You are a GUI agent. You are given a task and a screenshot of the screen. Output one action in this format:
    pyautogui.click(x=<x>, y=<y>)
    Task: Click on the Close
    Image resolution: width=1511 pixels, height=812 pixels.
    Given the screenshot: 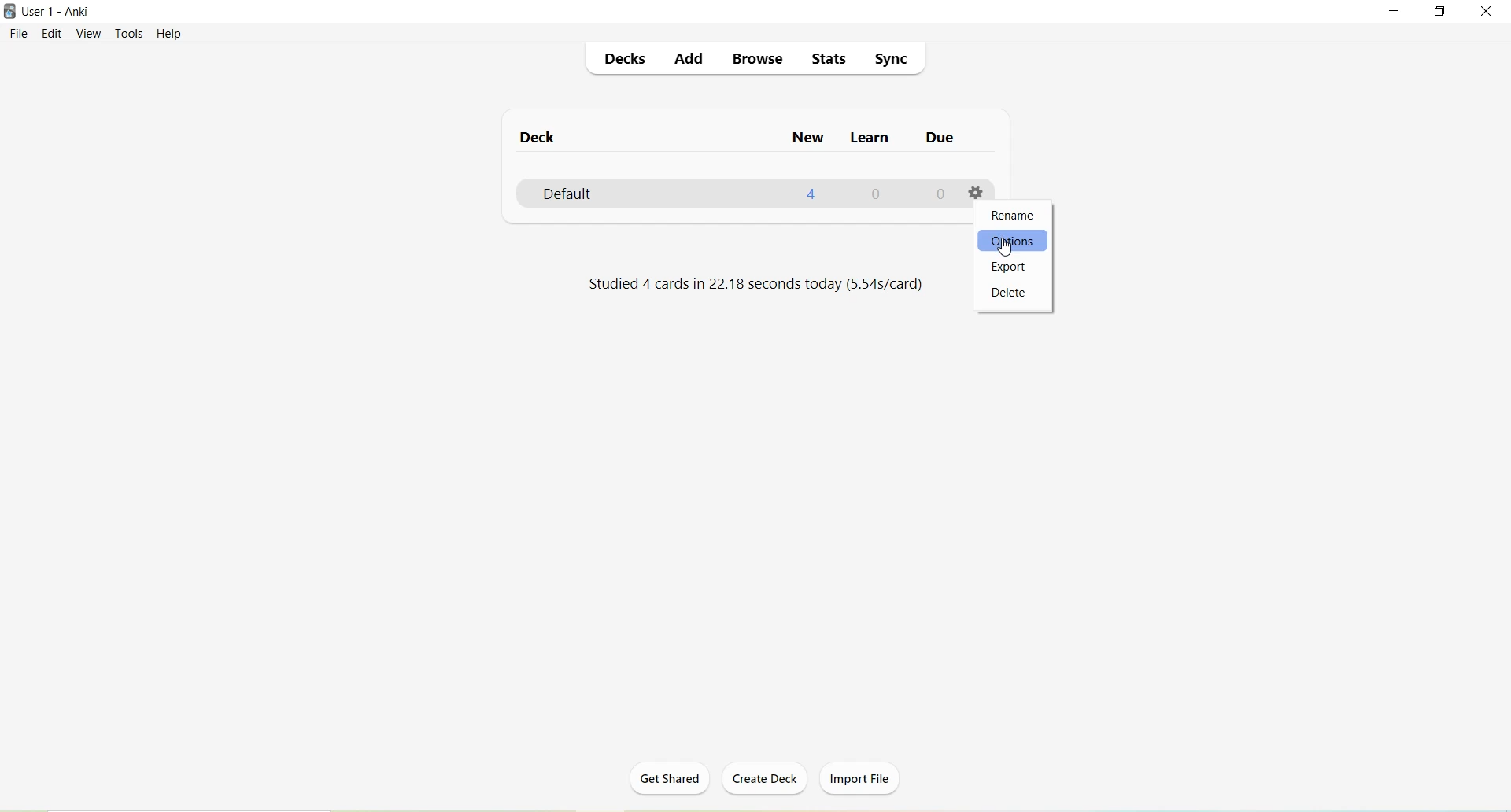 What is the action you would take?
    pyautogui.click(x=1484, y=14)
    